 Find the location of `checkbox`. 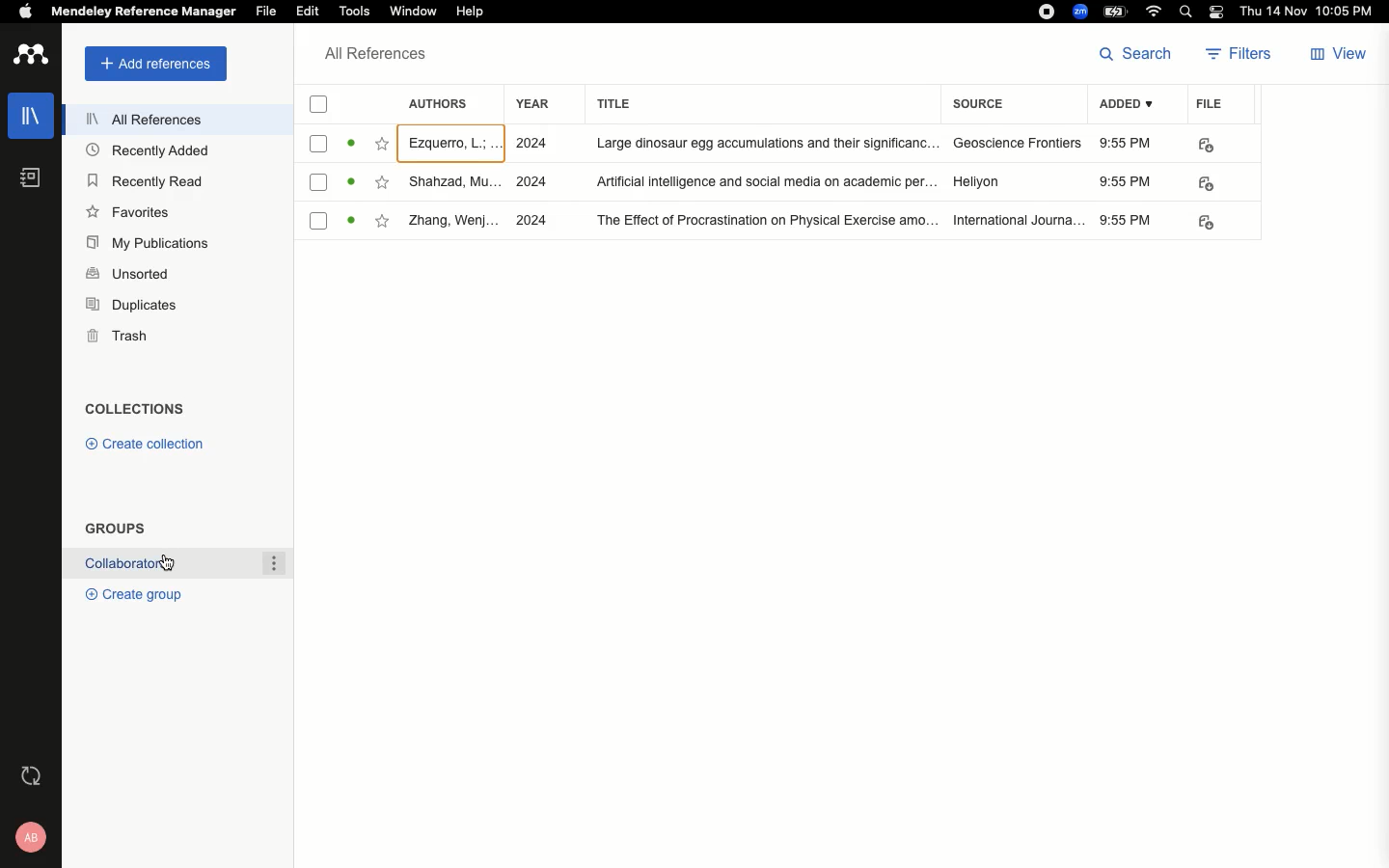

checkbox is located at coordinates (317, 221).